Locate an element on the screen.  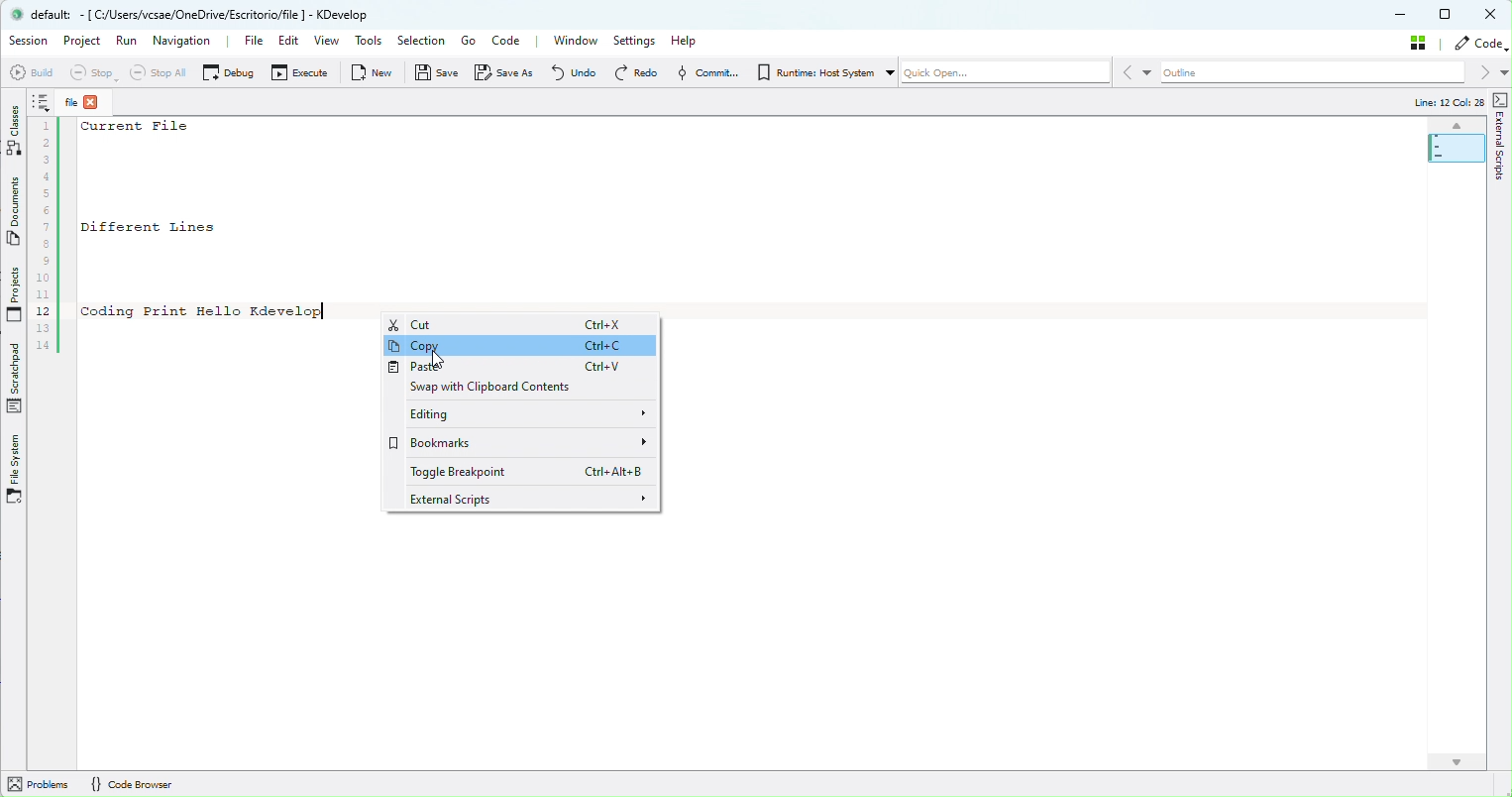
Stash is located at coordinates (1419, 42).